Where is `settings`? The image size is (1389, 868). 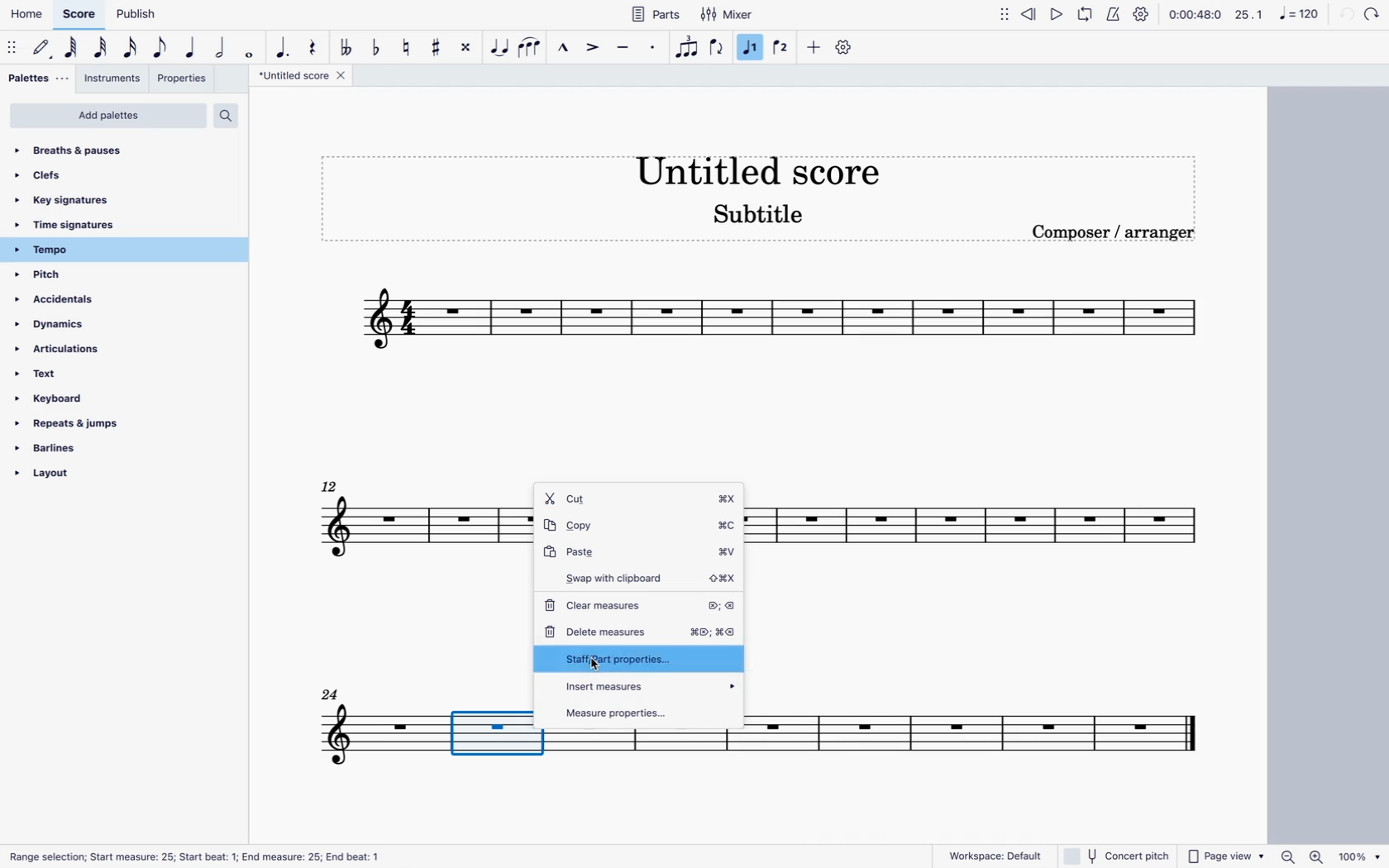 settings is located at coordinates (848, 50).